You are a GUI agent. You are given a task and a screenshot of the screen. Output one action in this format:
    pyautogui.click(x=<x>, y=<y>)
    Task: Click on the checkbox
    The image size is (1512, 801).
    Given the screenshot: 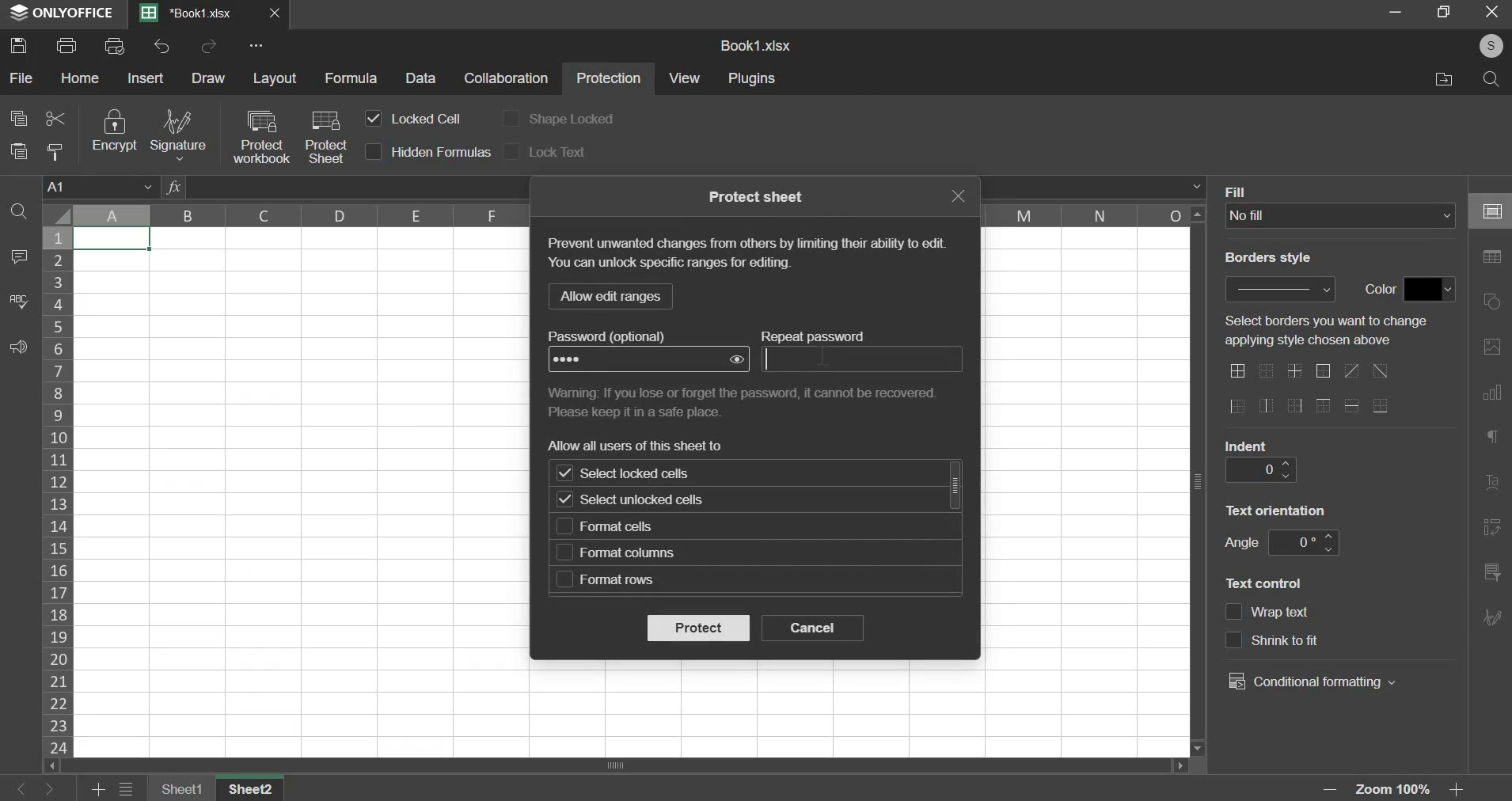 What is the action you would take?
    pyautogui.click(x=564, y=552)
    